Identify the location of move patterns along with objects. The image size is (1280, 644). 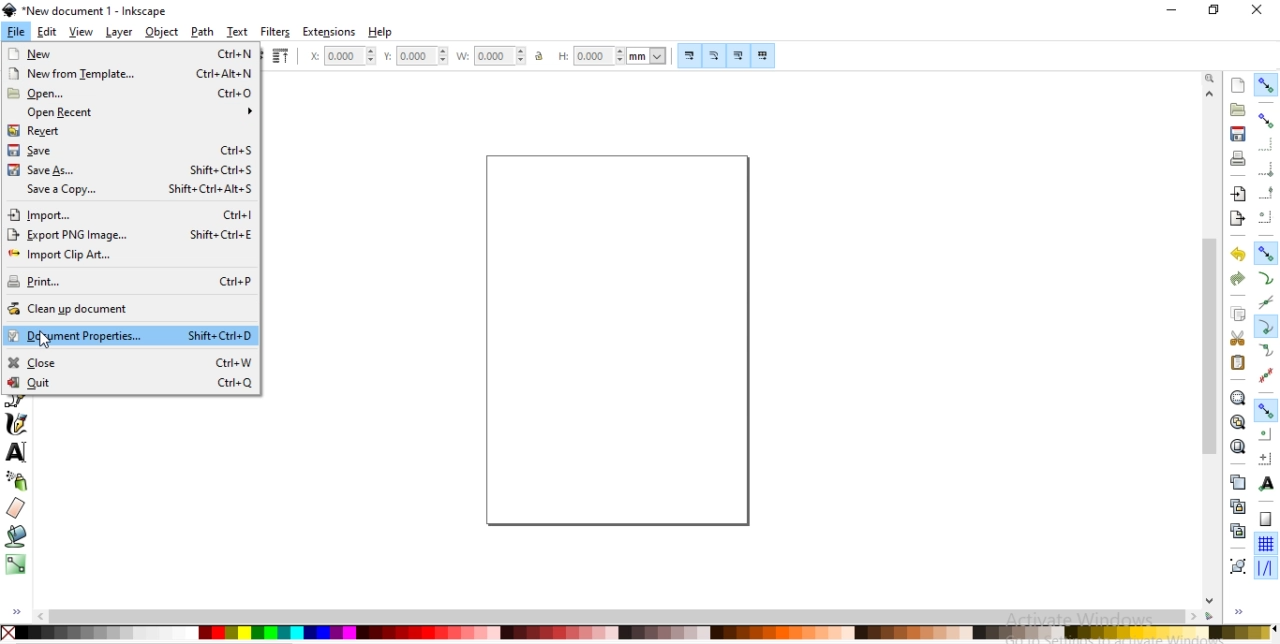
(762, 56).